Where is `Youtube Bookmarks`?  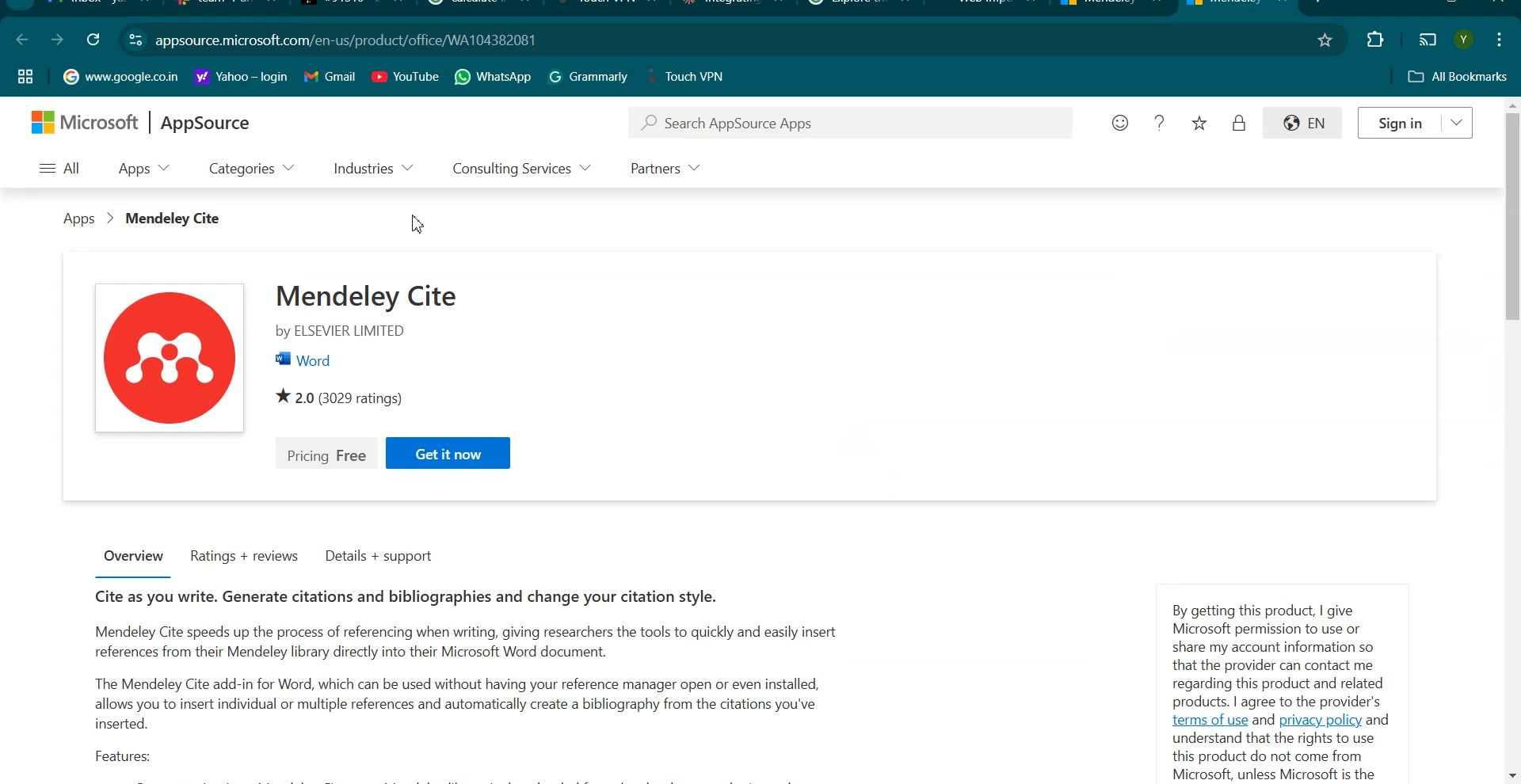 Youtube Bookmarks is located at coordinates (405, 76).